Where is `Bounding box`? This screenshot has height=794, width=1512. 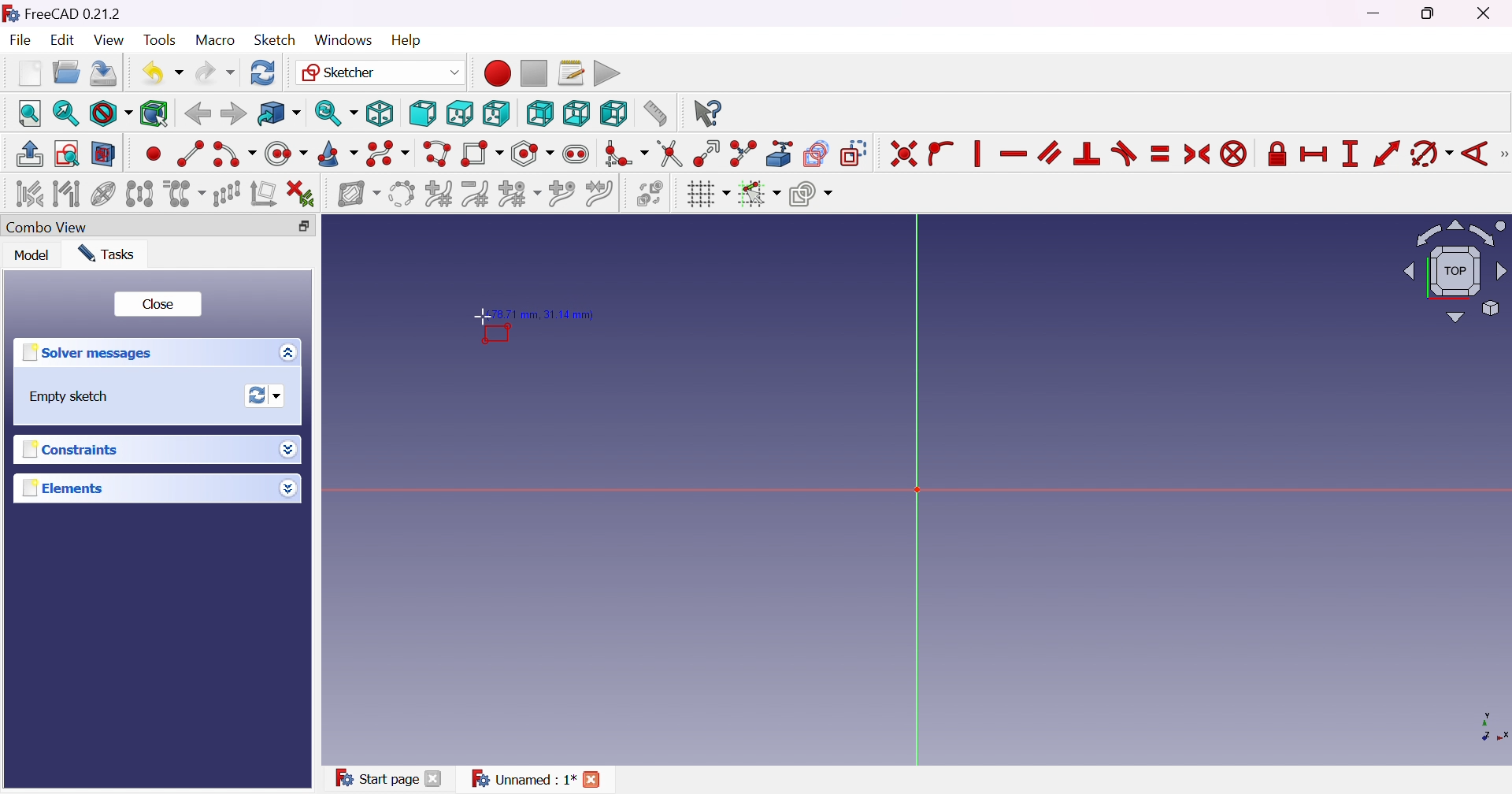 Bounding box is located at coordinates (155, 115).